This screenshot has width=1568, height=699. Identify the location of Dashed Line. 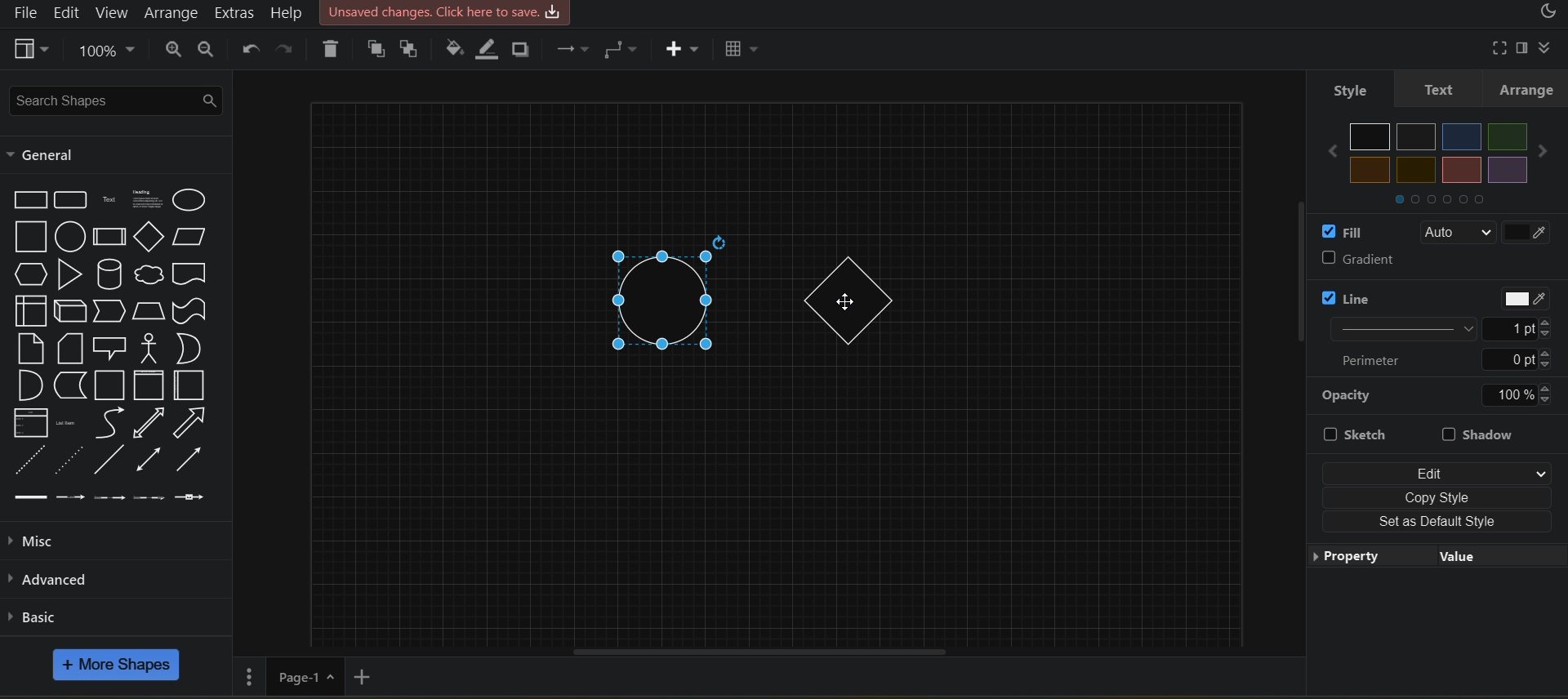
(31, 457).